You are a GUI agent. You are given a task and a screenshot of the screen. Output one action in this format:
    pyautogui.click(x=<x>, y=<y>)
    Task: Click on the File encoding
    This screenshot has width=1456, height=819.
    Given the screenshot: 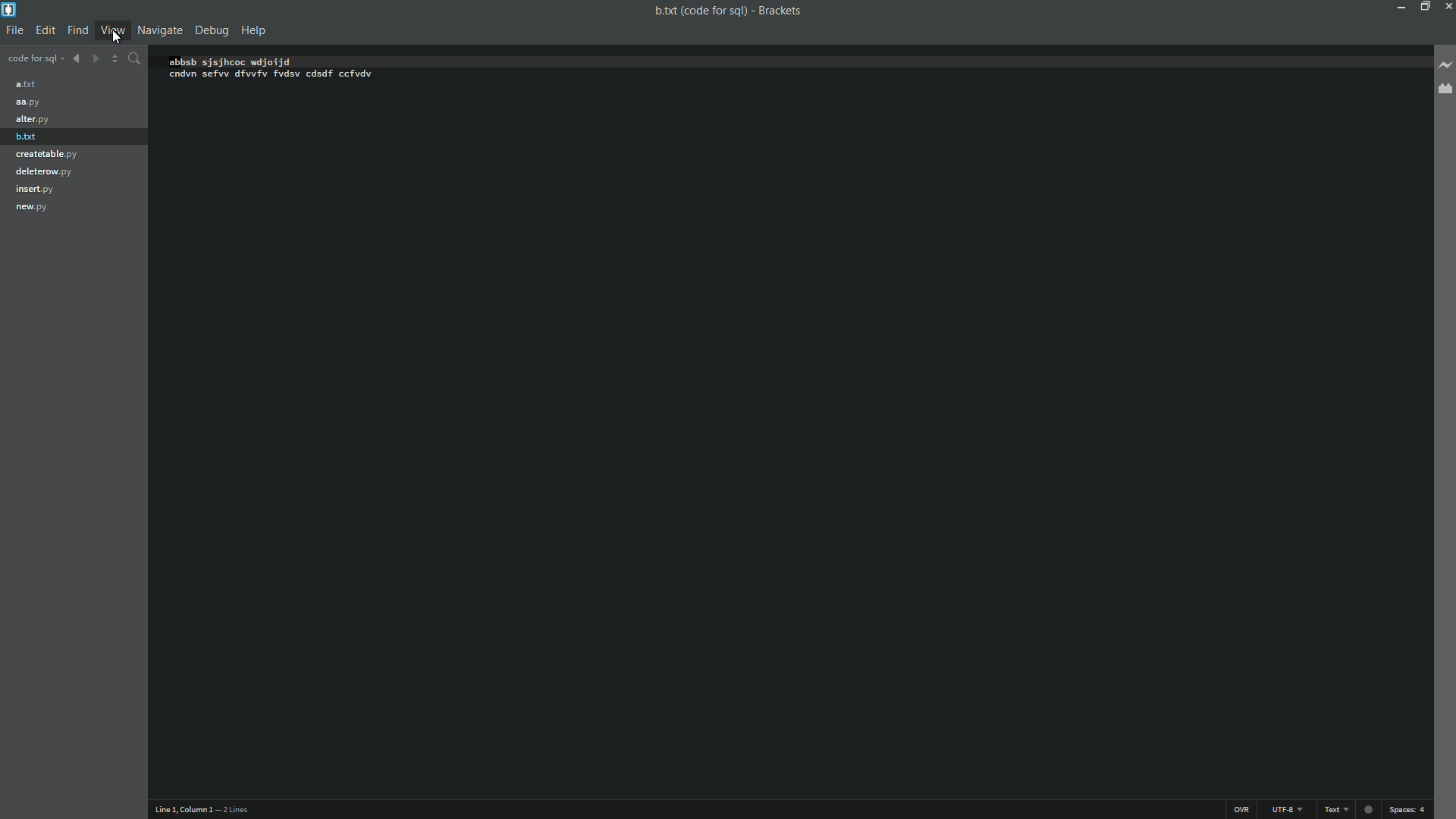 What is the action you would take?
    pyautogui.click(x=1289, y=810)
    